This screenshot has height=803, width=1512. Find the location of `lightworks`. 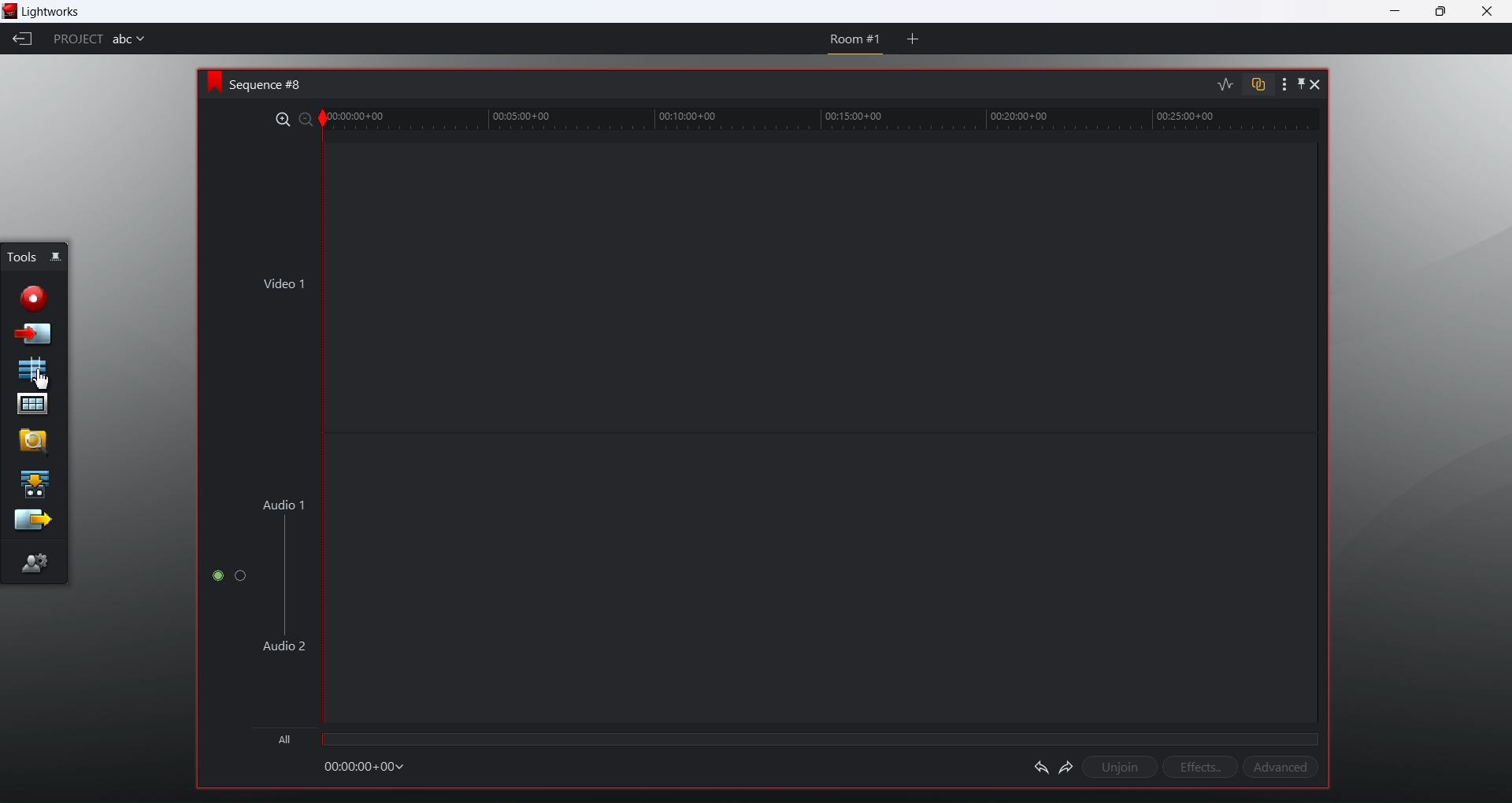

lightworks is located at coordinates (53, 13).